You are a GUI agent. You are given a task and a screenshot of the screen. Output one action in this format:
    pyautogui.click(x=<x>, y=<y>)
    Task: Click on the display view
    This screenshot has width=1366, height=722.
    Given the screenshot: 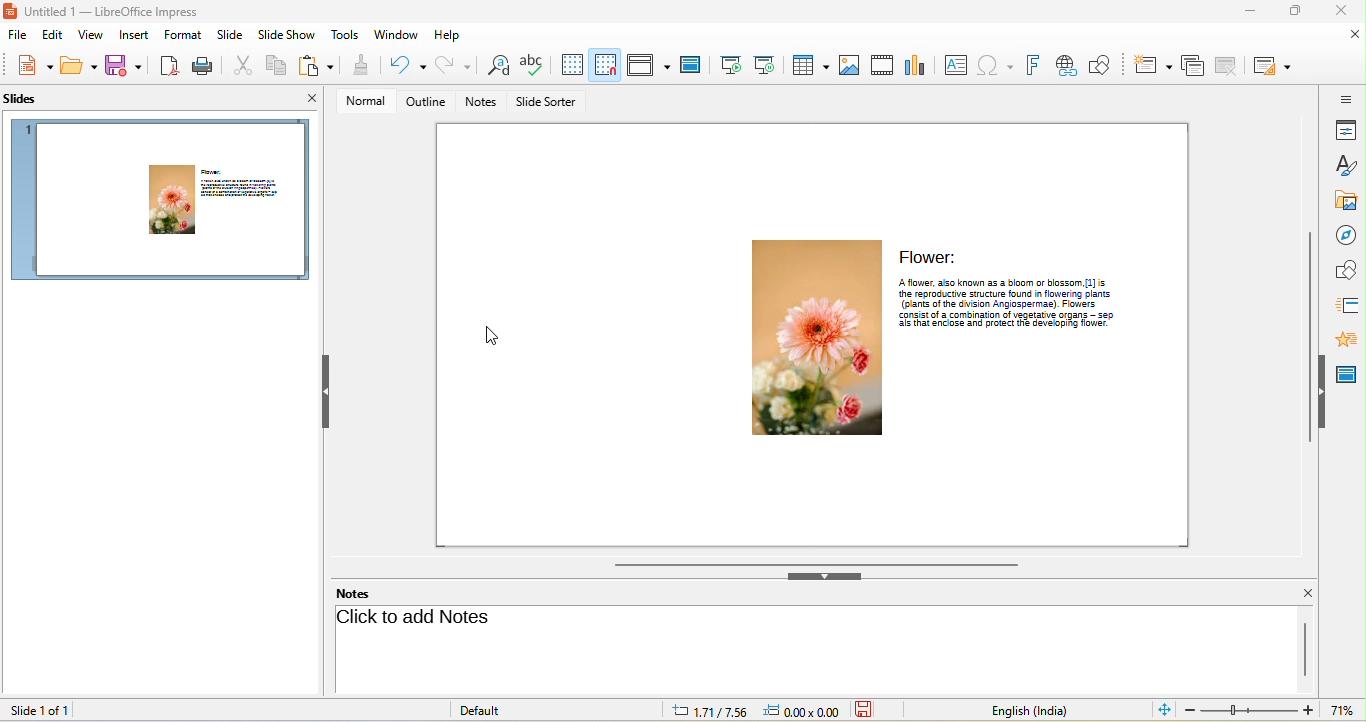 What is the action you would take?
    pyautogui.click(x=648, y=65)
    